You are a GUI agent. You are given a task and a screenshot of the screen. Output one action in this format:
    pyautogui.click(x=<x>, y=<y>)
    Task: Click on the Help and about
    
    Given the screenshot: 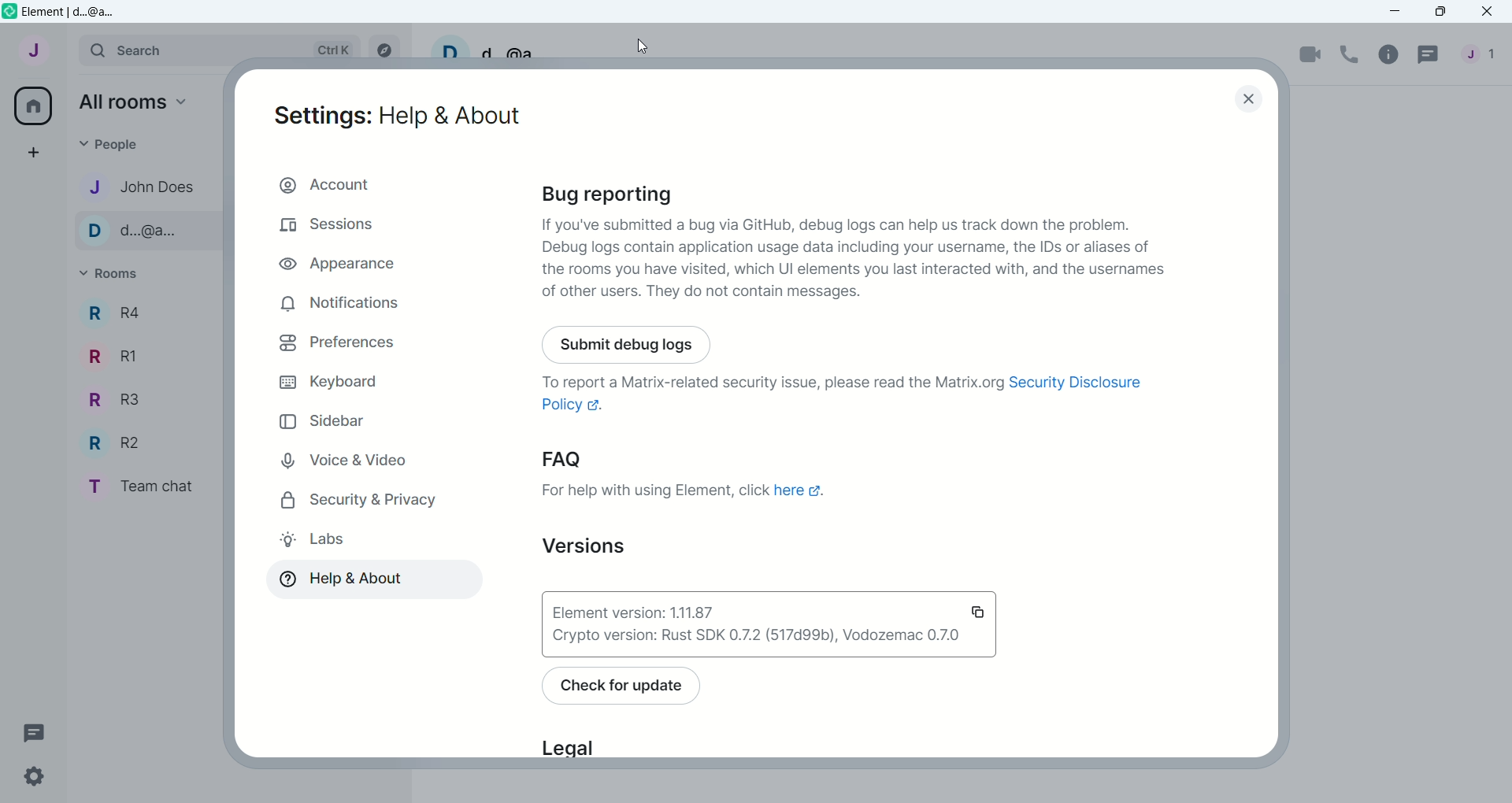 What is the action you would take?
    pyautogui.click(x=346, y=578)
    